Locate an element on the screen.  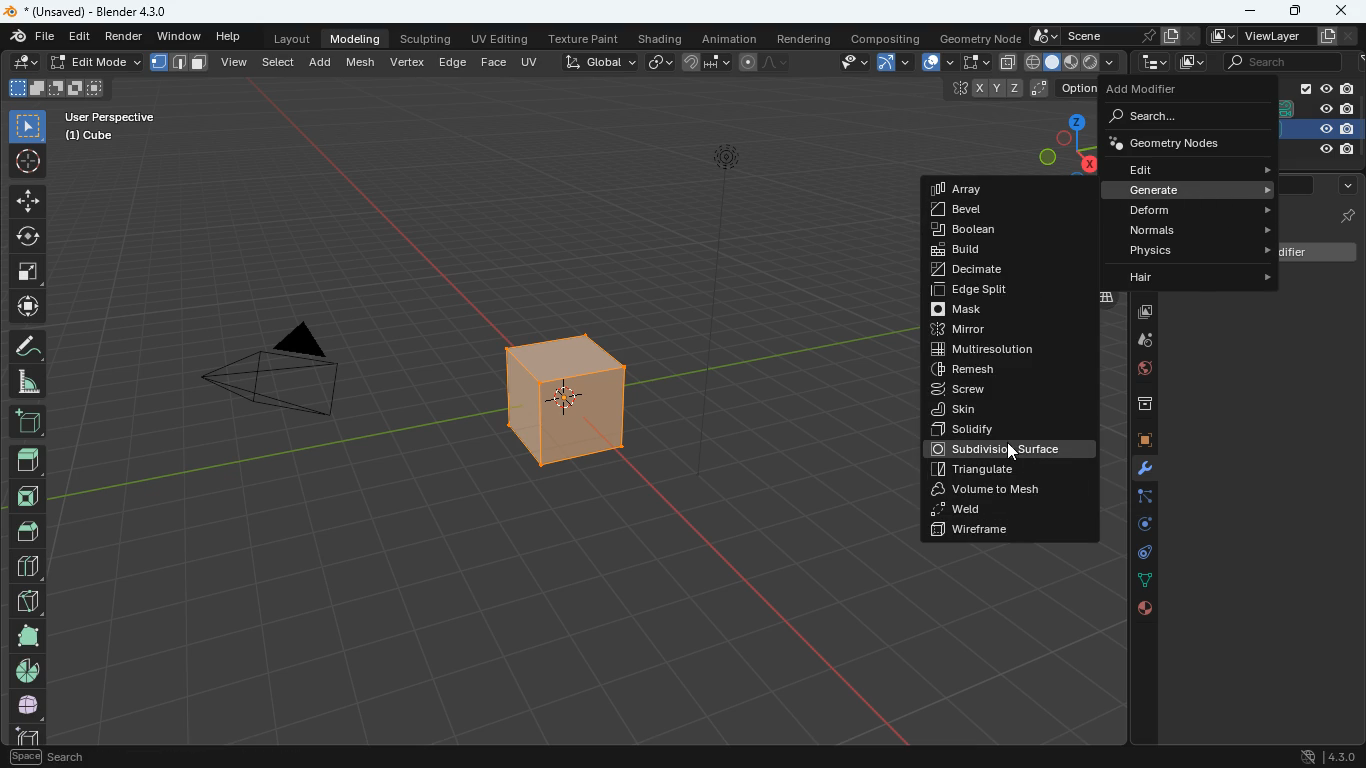
view is located at coordinates (848, 63).